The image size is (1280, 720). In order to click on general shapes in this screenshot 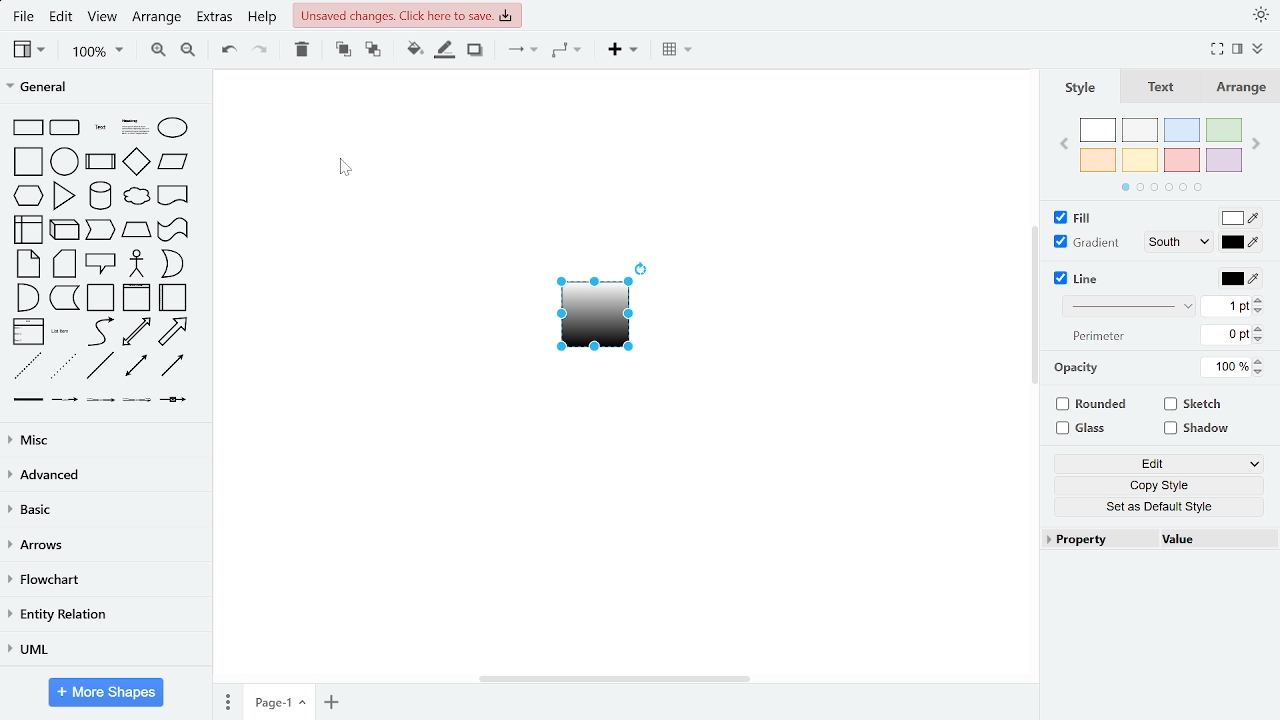, I will do `click(26, 127)`.